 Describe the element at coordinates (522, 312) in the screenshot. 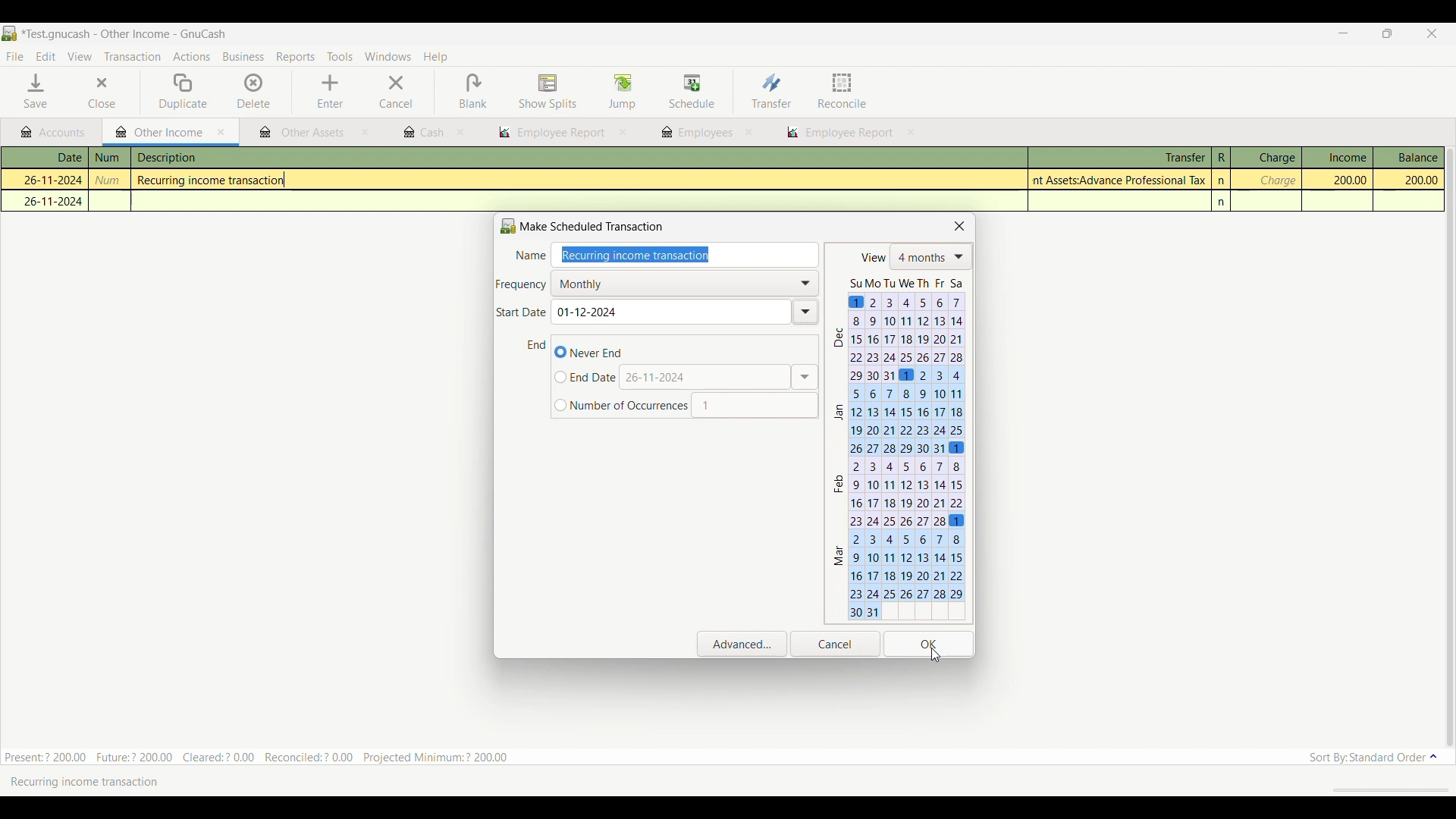

I see `Indicates Start date of transaction` at that location.